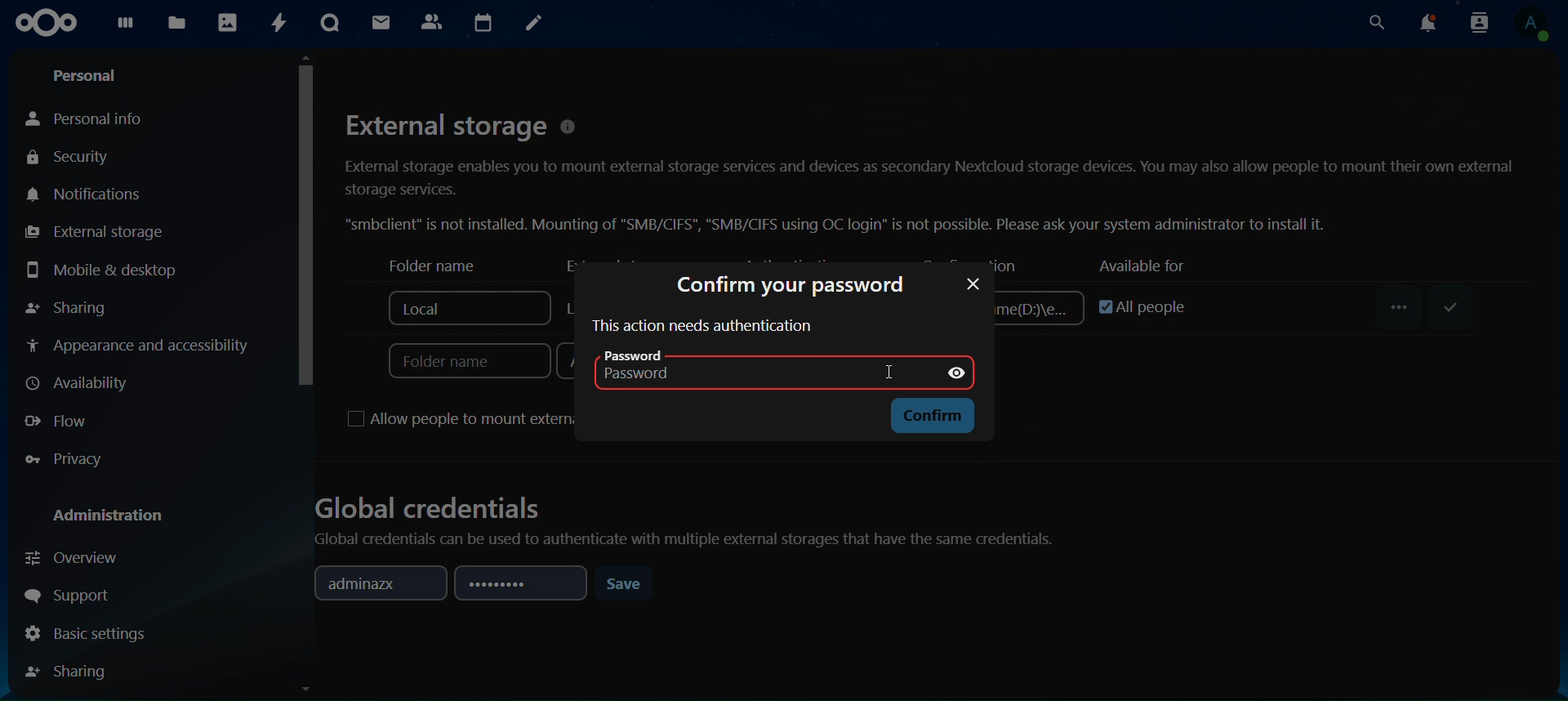 This screenshot has width=1568, height=701. What do you see at coordinates (1138, 266) in the screenshot?
I see `available for` at bounding box center [1138, 266].